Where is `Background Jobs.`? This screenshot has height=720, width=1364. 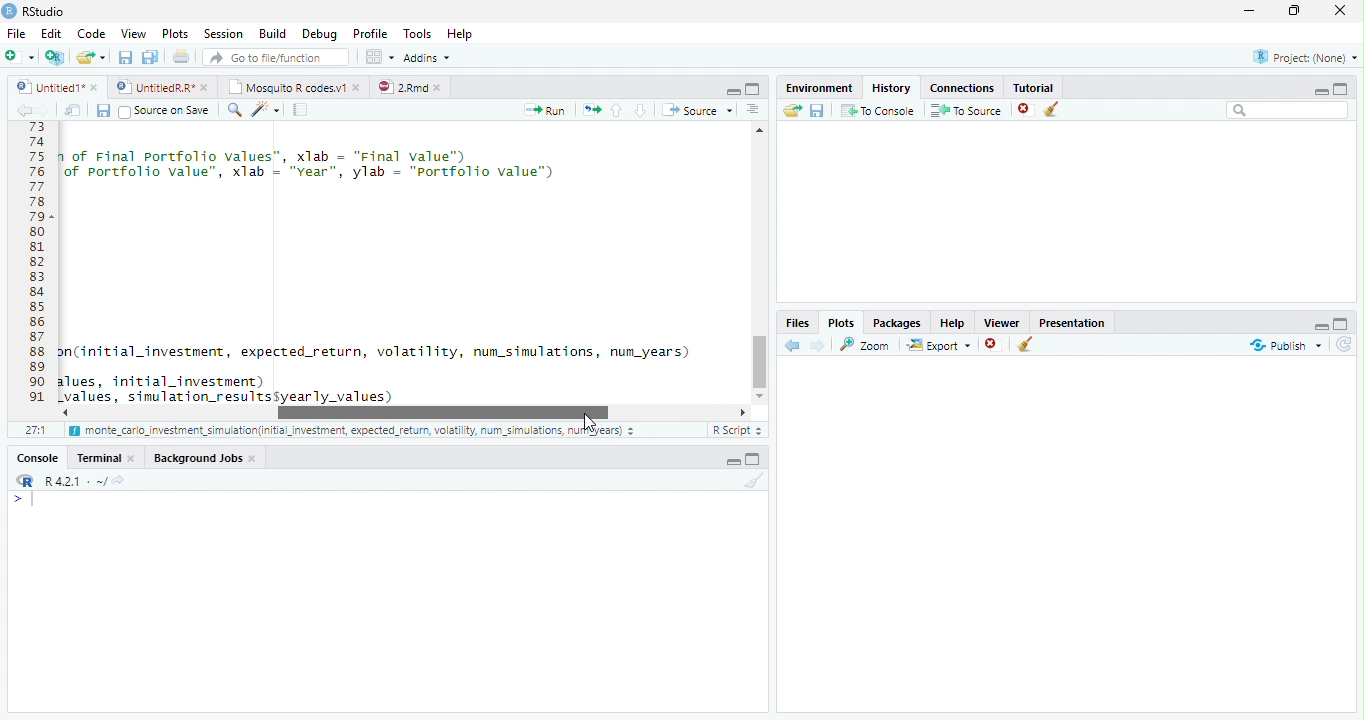
Background Jobs. is located at coordinates (206, 457).